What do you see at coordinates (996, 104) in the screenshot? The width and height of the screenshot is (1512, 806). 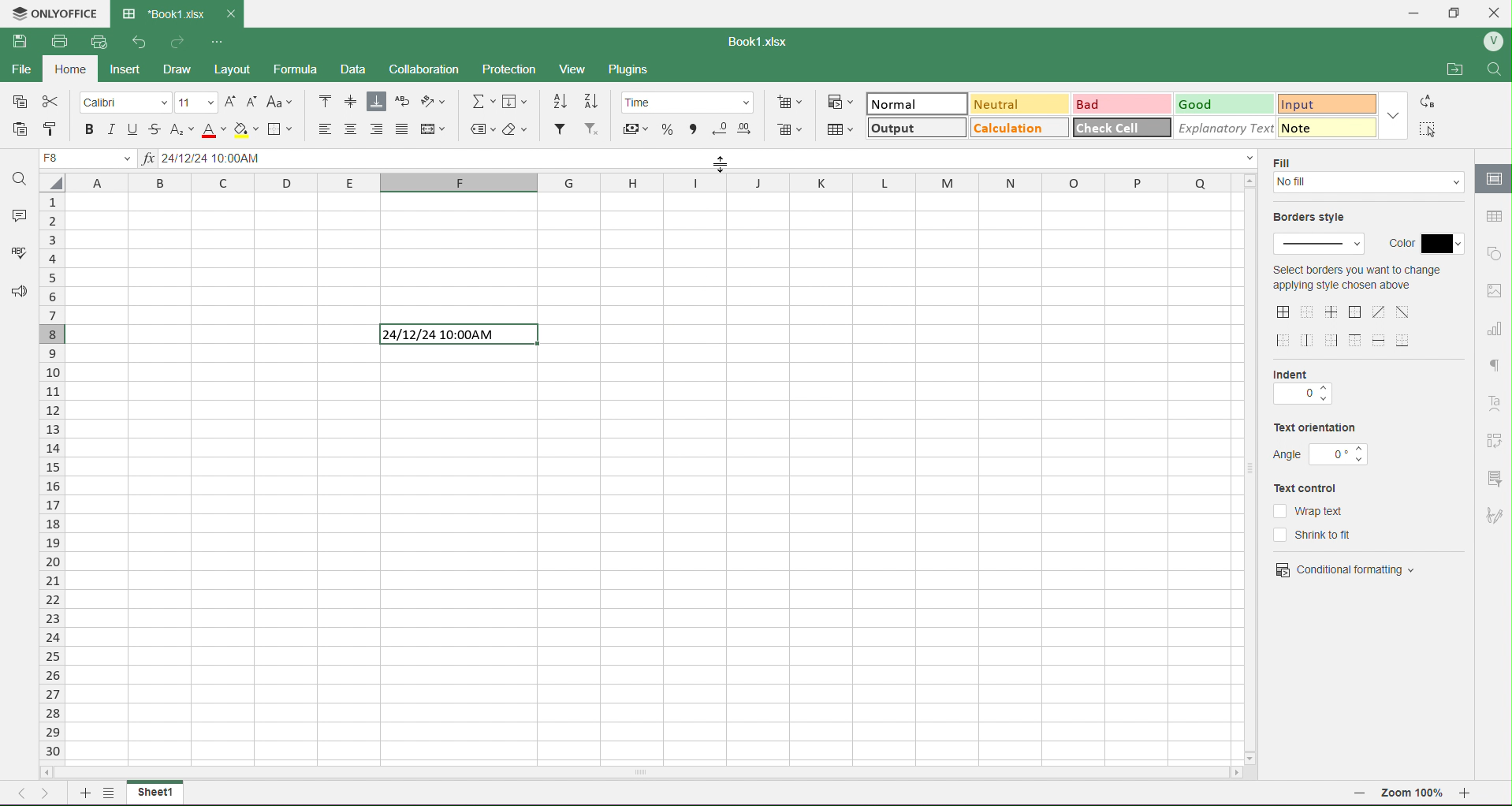 I see `Neutral` at bounding box center [996, 104].